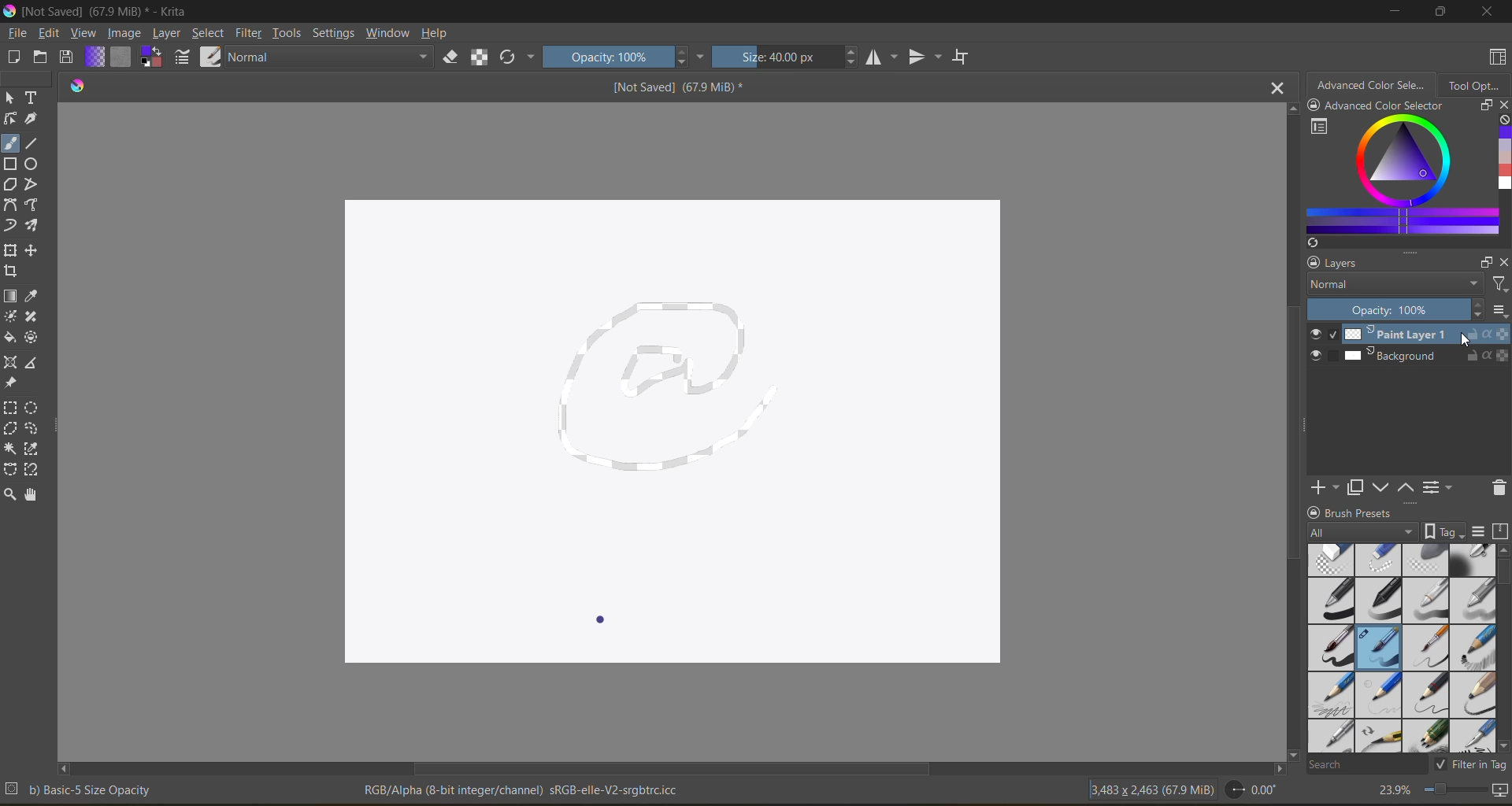 This screenshot has width=1512, height=806. I want to click on transform a layer, so click(10, 250).